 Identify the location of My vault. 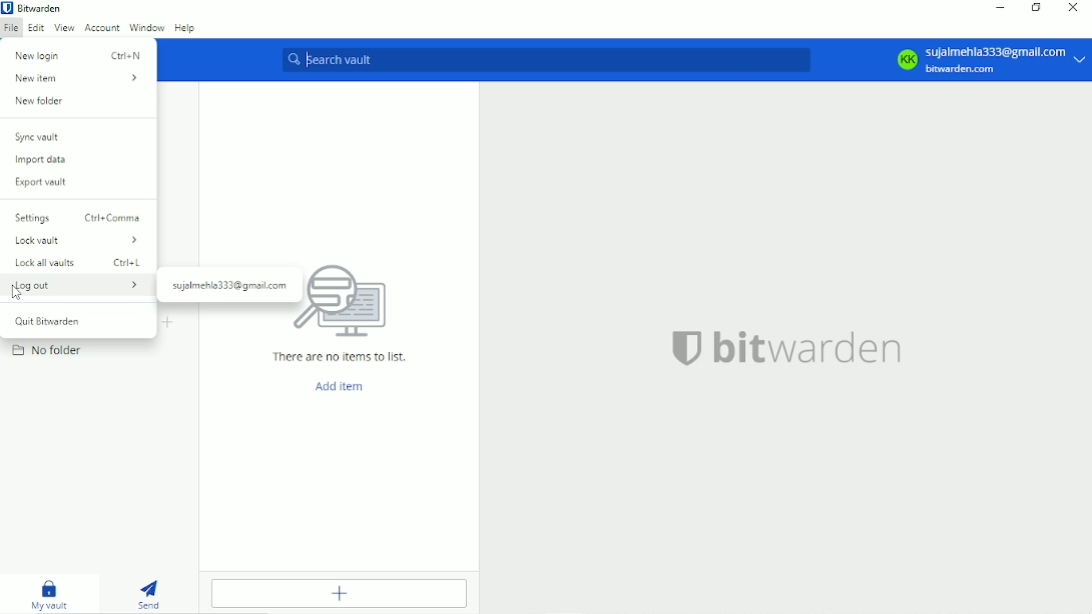
(51, 595).